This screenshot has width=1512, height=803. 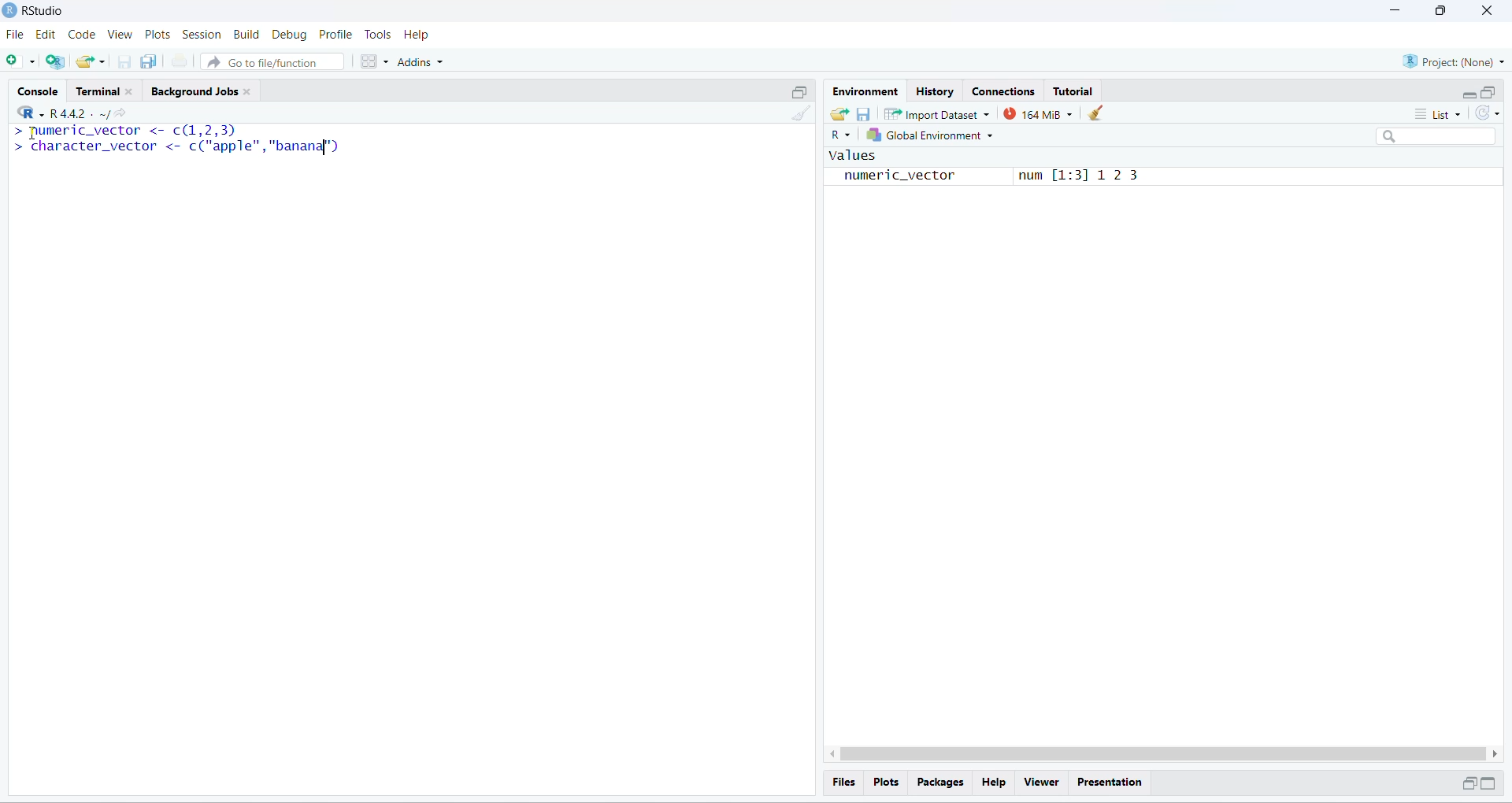 I want to click on Environment., so click(x=864, y=91).